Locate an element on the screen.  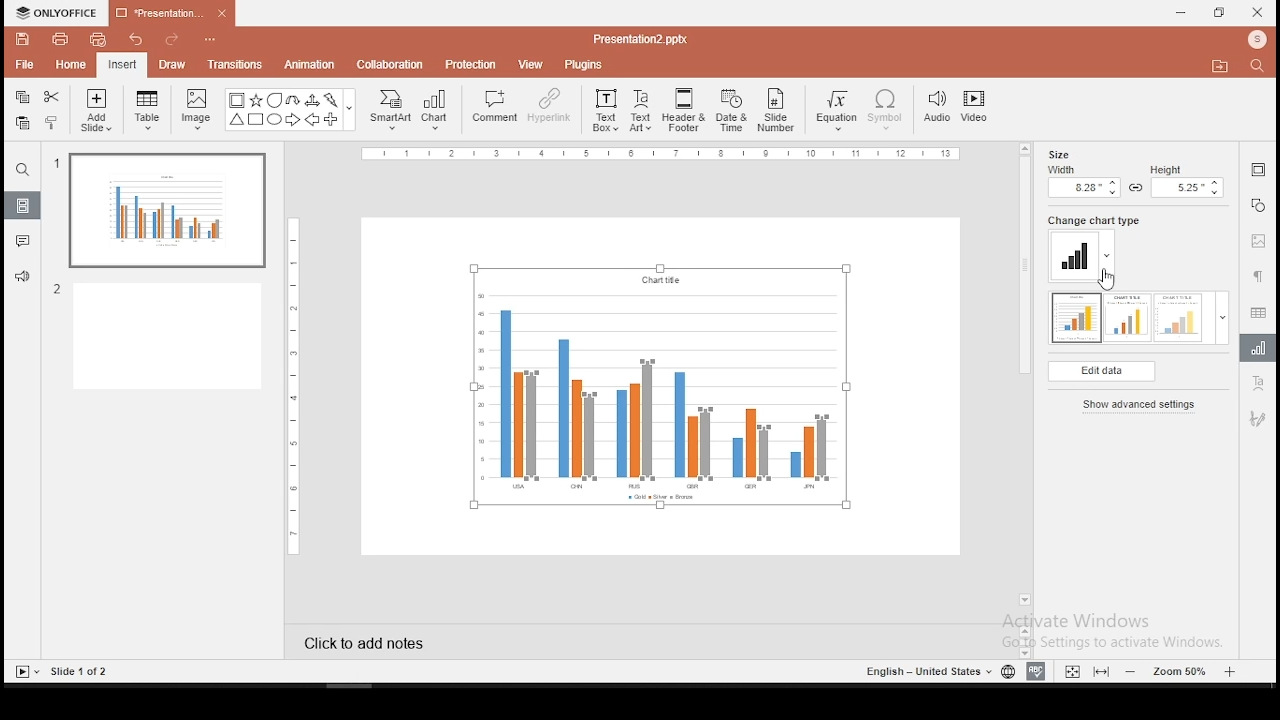
restore is located at coordinates (1219, 12).